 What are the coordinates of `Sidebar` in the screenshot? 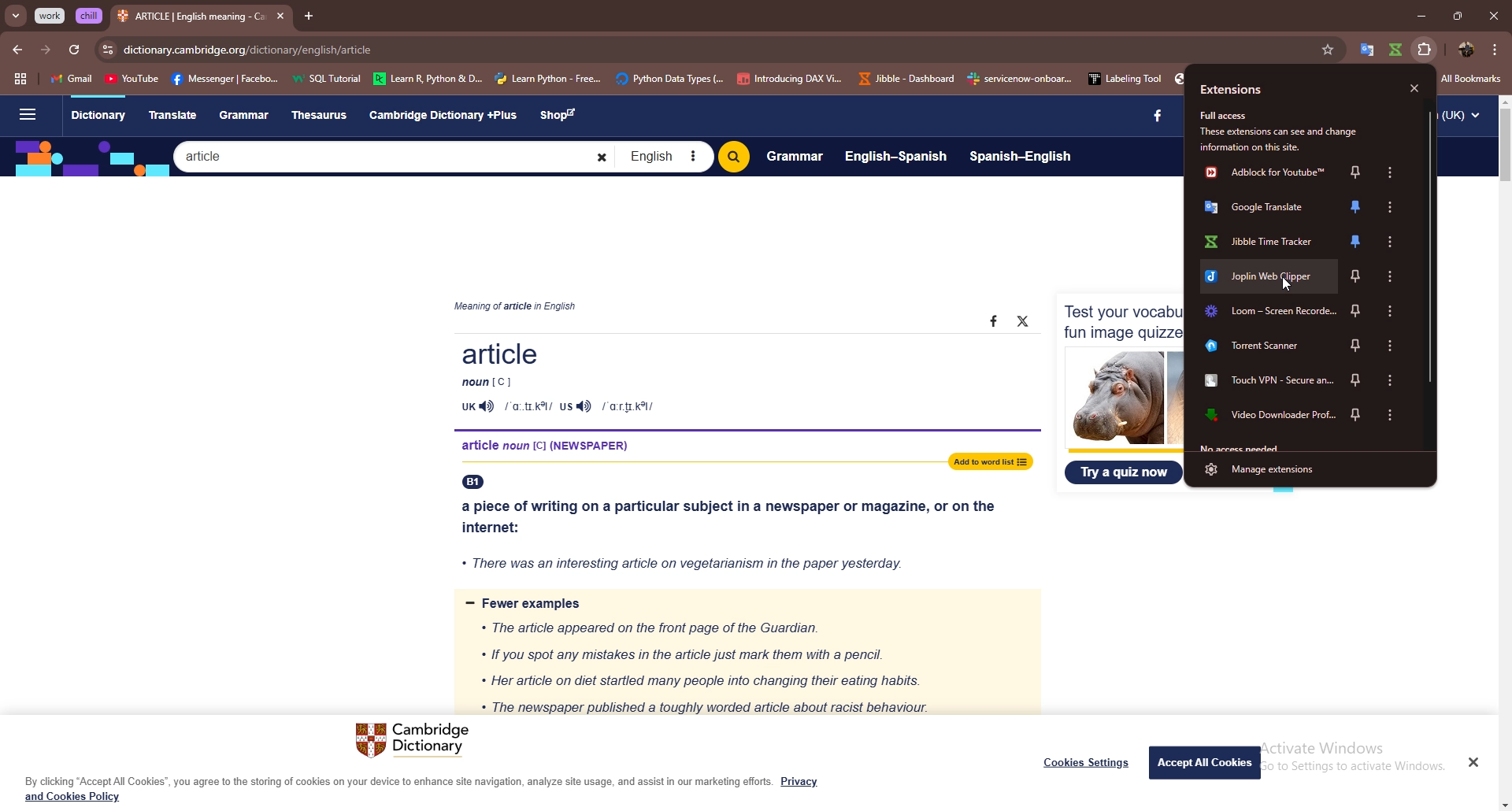 It's located at (26, 116).